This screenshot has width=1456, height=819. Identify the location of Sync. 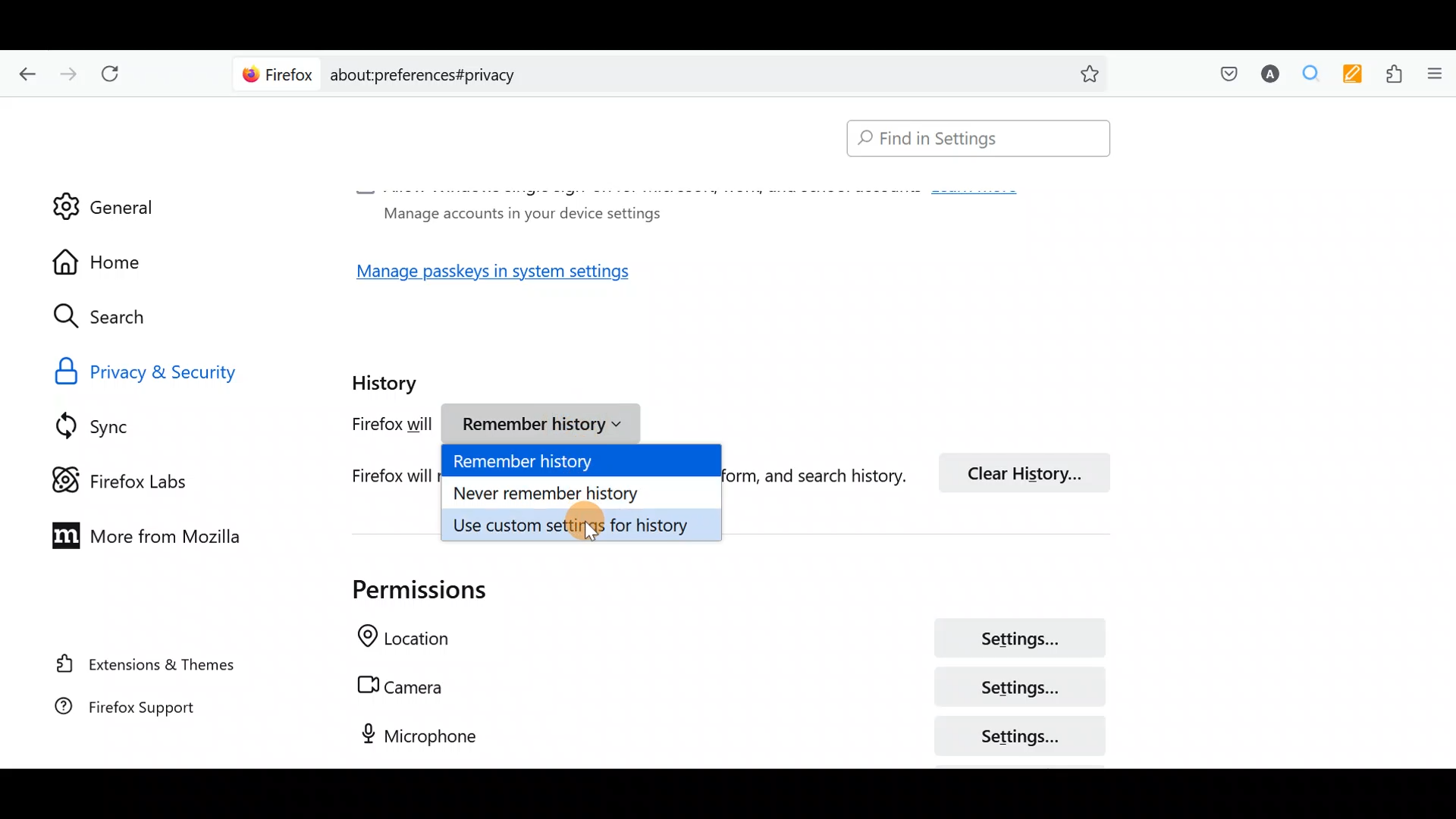
(113, 425).